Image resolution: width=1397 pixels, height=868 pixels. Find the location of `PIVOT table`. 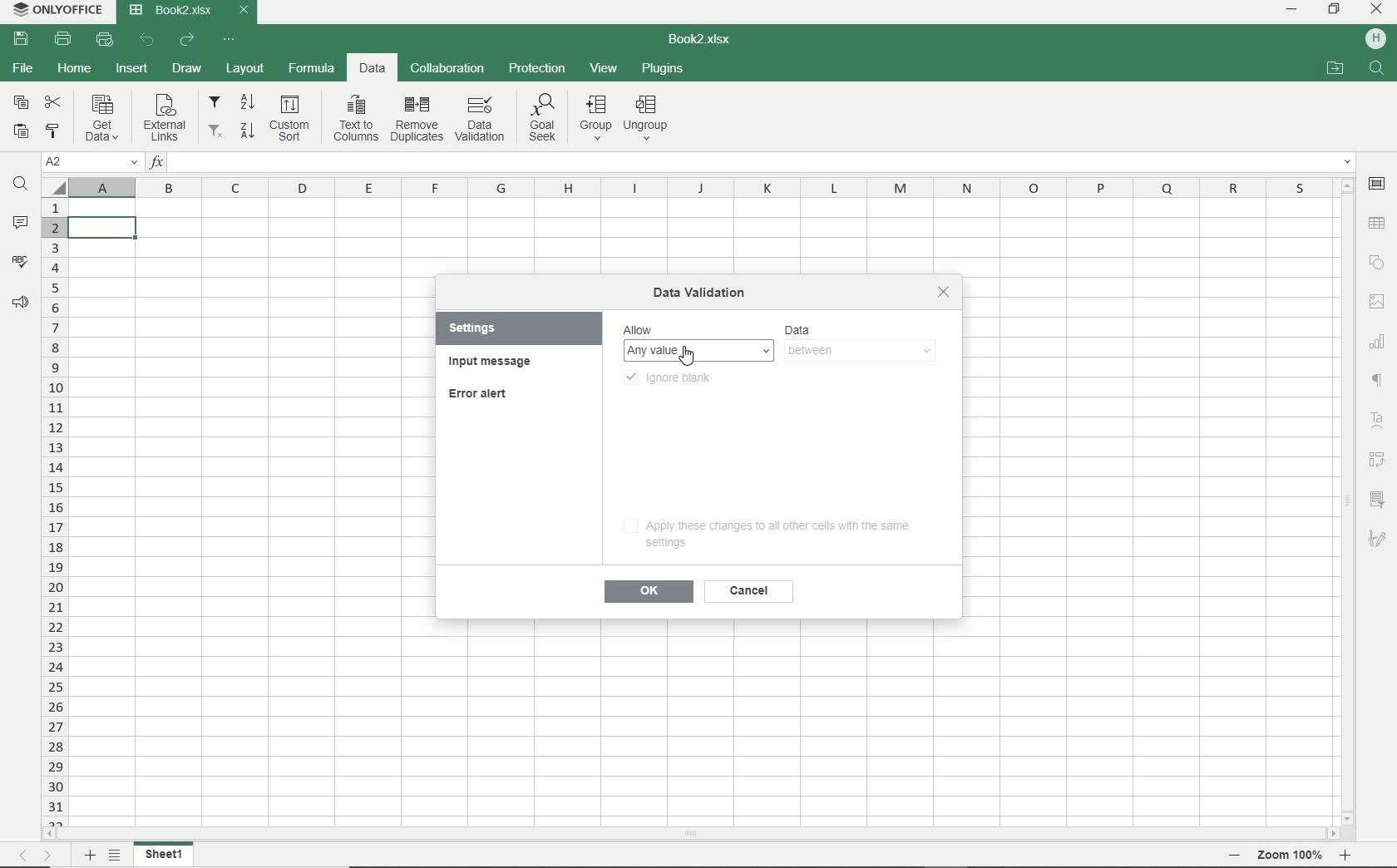

PIVOT table is located at coordinates (1377, 460).